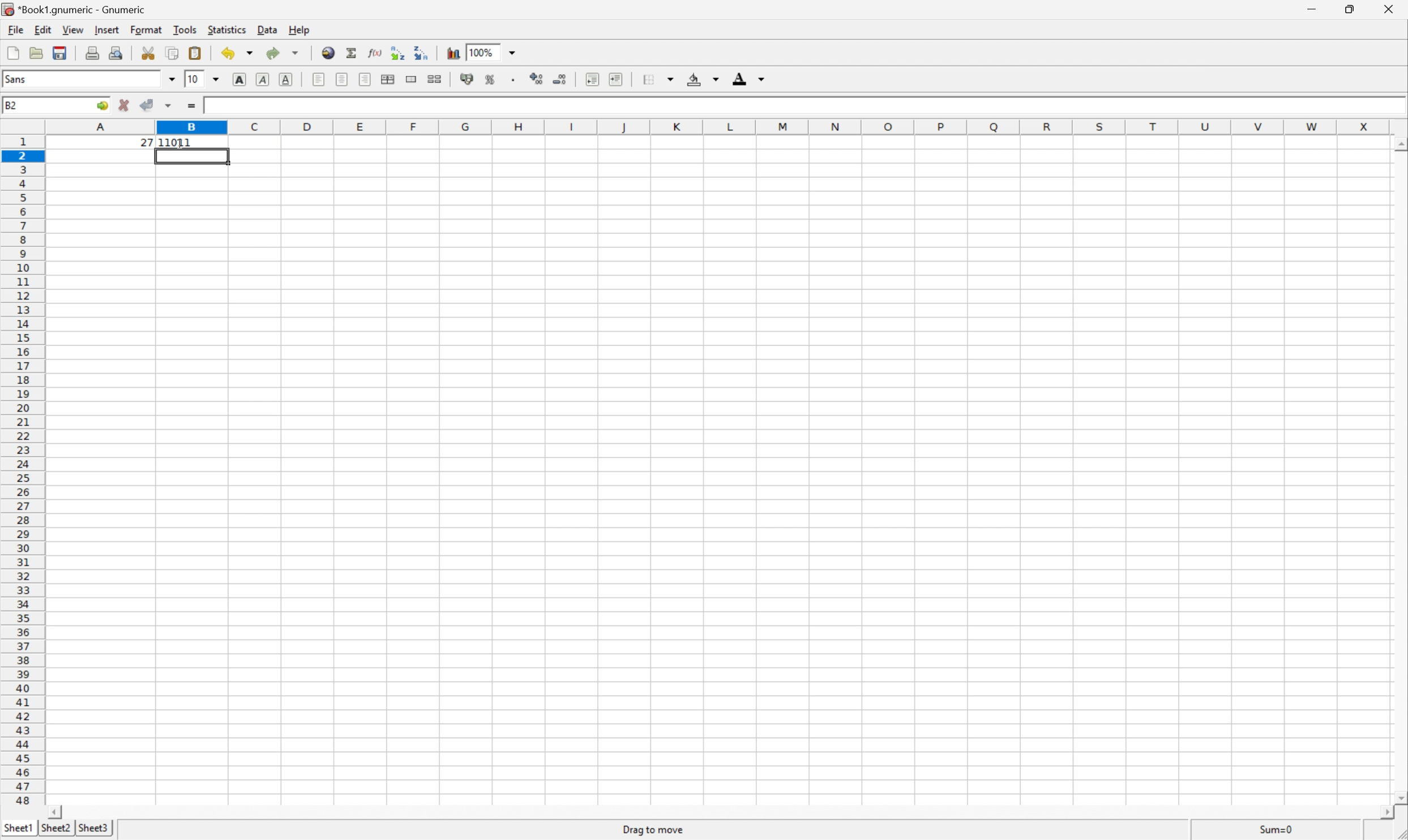  What do you see at coordinates (238, 79) in the screenshot?
I see `Bold` at bounding box center [238, 79].